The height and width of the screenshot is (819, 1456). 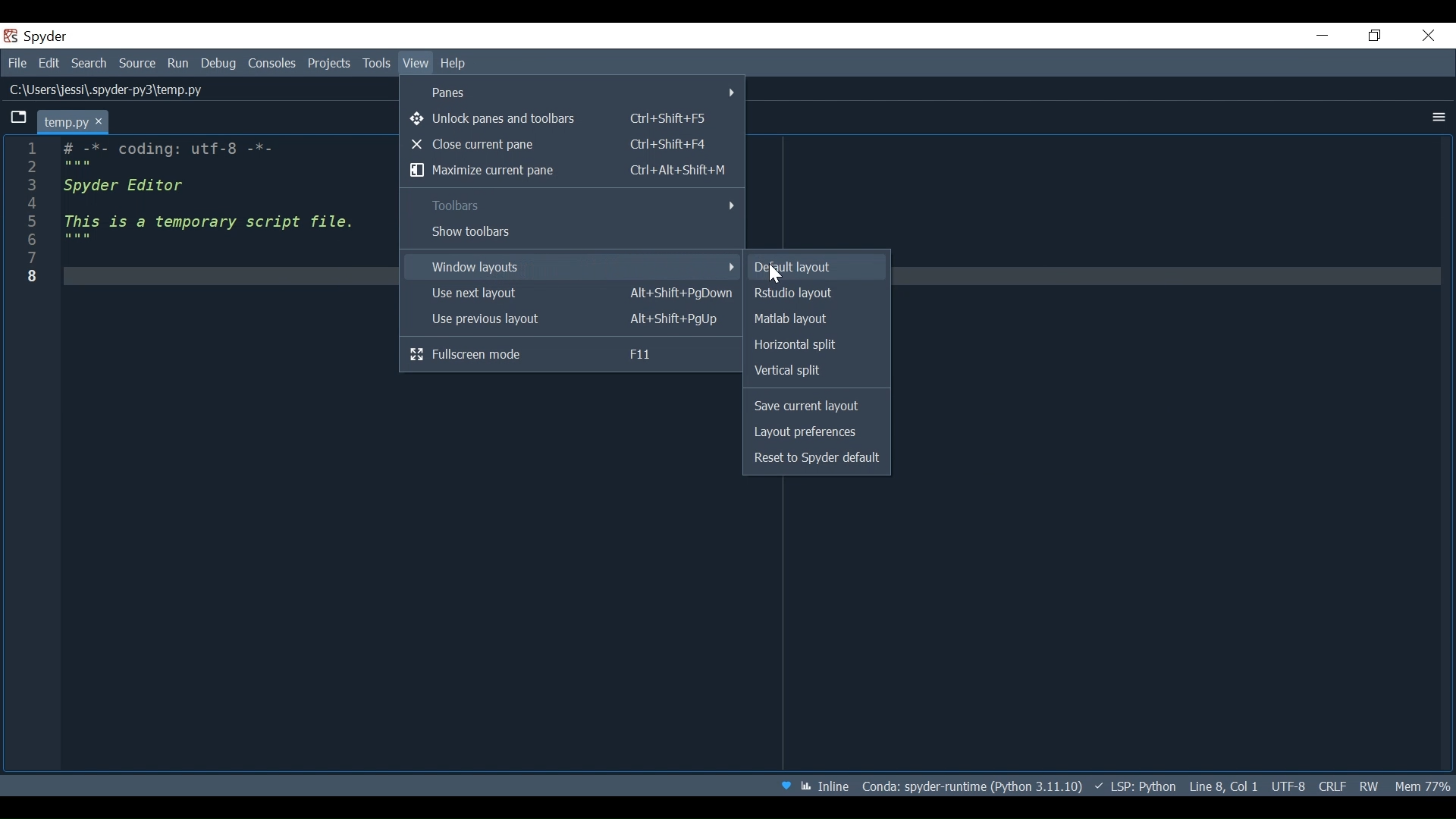 What do you see at coordinates (113, 89) in the screenshot?
I see `L.\USers\jessi\.spyaer-pys\temp.py` at bounding box center [113, 89].